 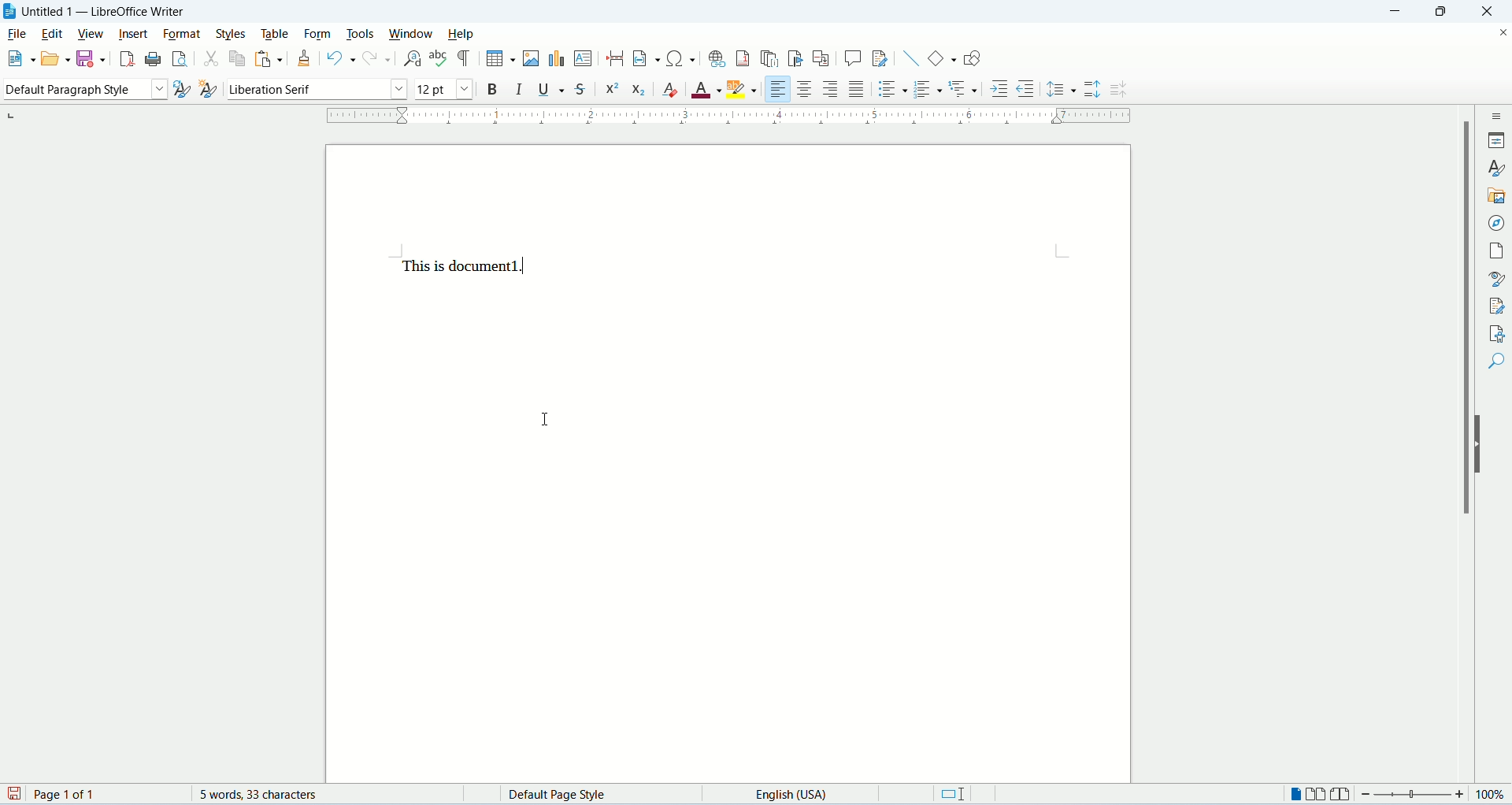 I want to click on open, so click(x=54, y=60).